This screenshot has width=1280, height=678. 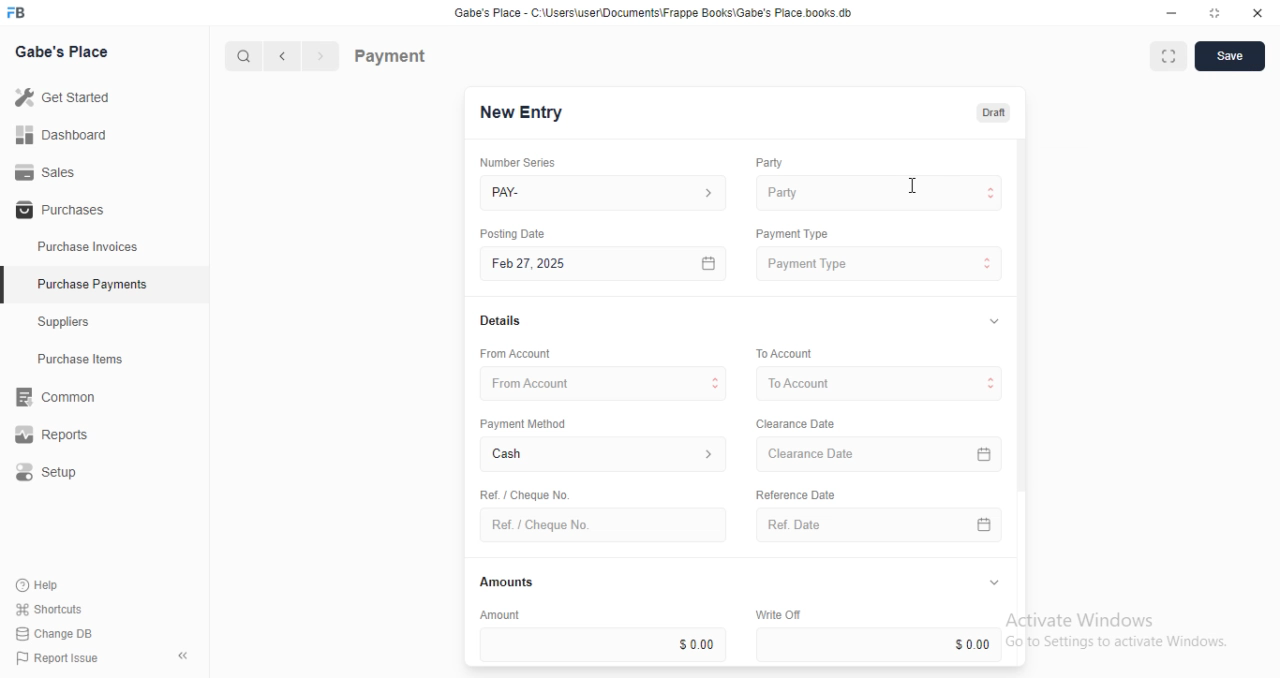 What do you see at coordinates (603, 644) in the screenshot?
I see `$0.00` at bounding box center [603, 644].